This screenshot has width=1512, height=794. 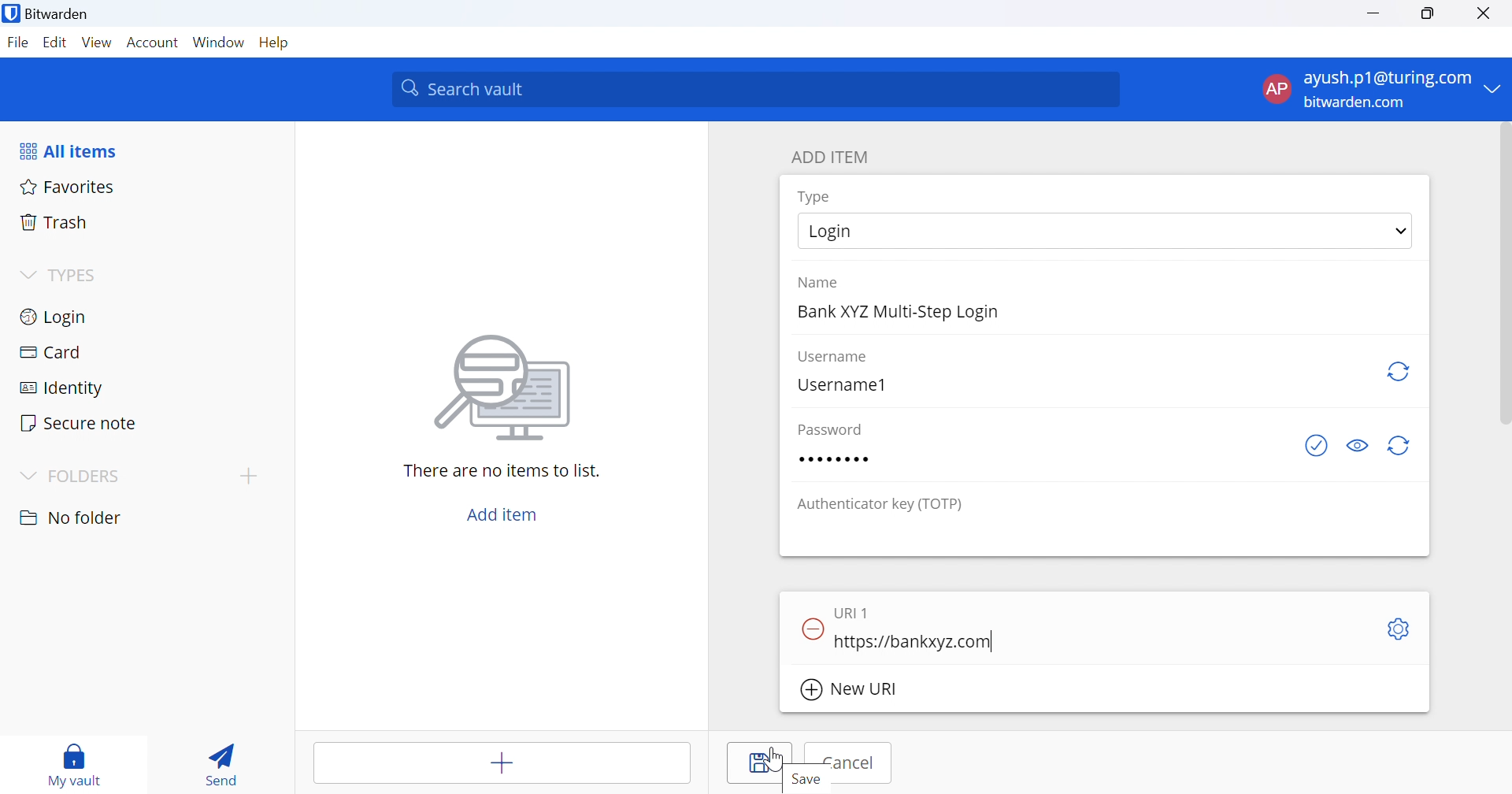 I want to click on View, so click(x=96, y=42).